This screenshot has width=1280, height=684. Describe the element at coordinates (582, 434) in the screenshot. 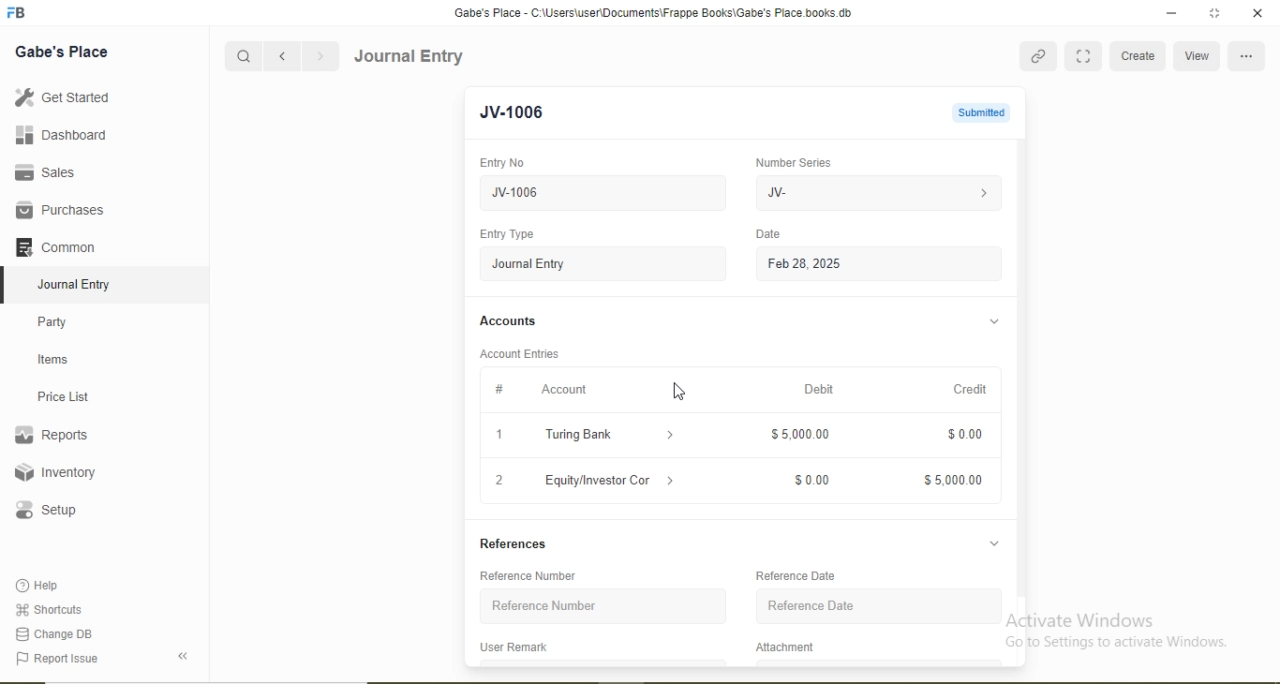

I see `Turing Bank` at that location.